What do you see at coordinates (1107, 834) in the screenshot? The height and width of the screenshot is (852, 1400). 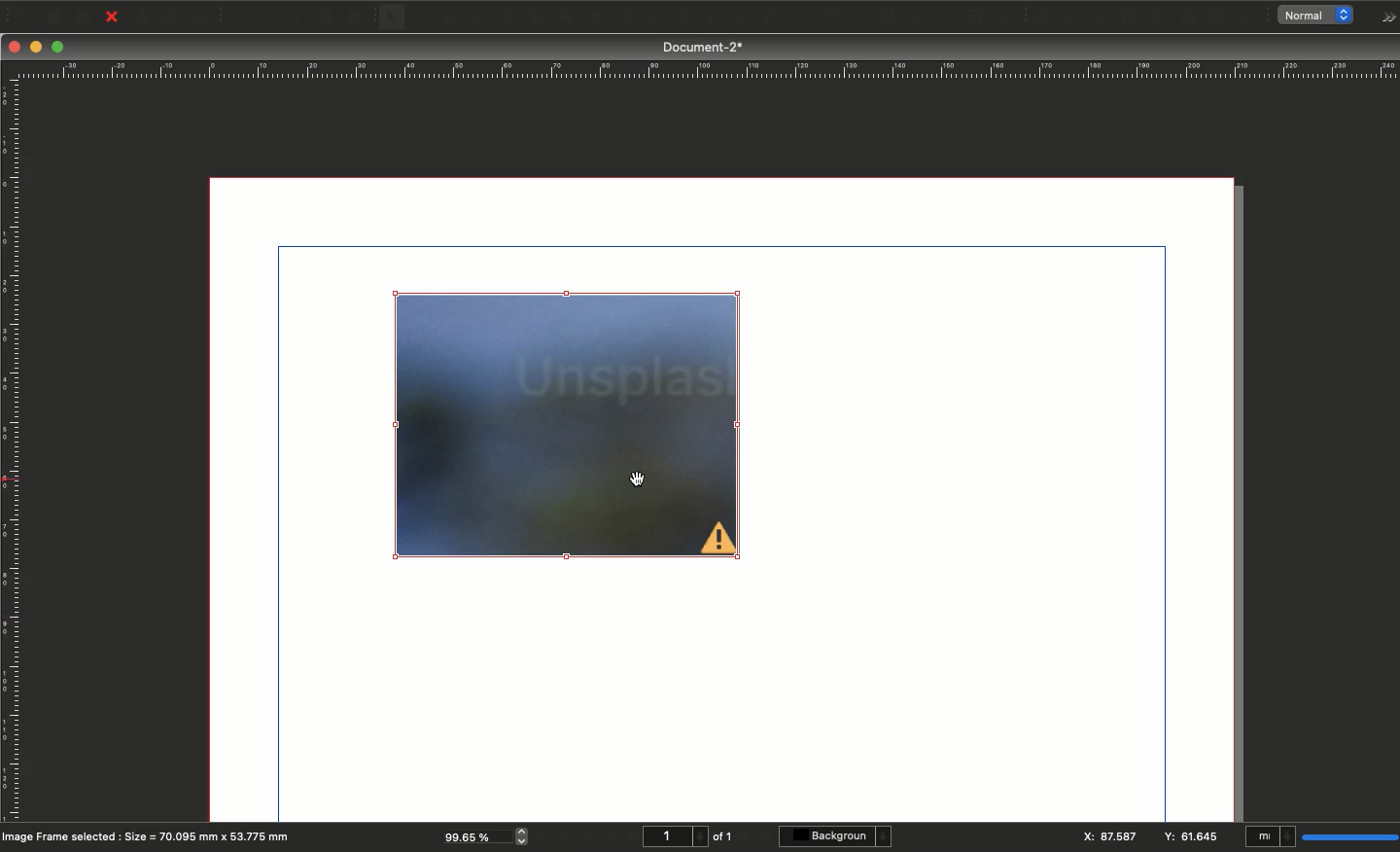 I see `X: 87.587` at bounding box center [1107, 834].